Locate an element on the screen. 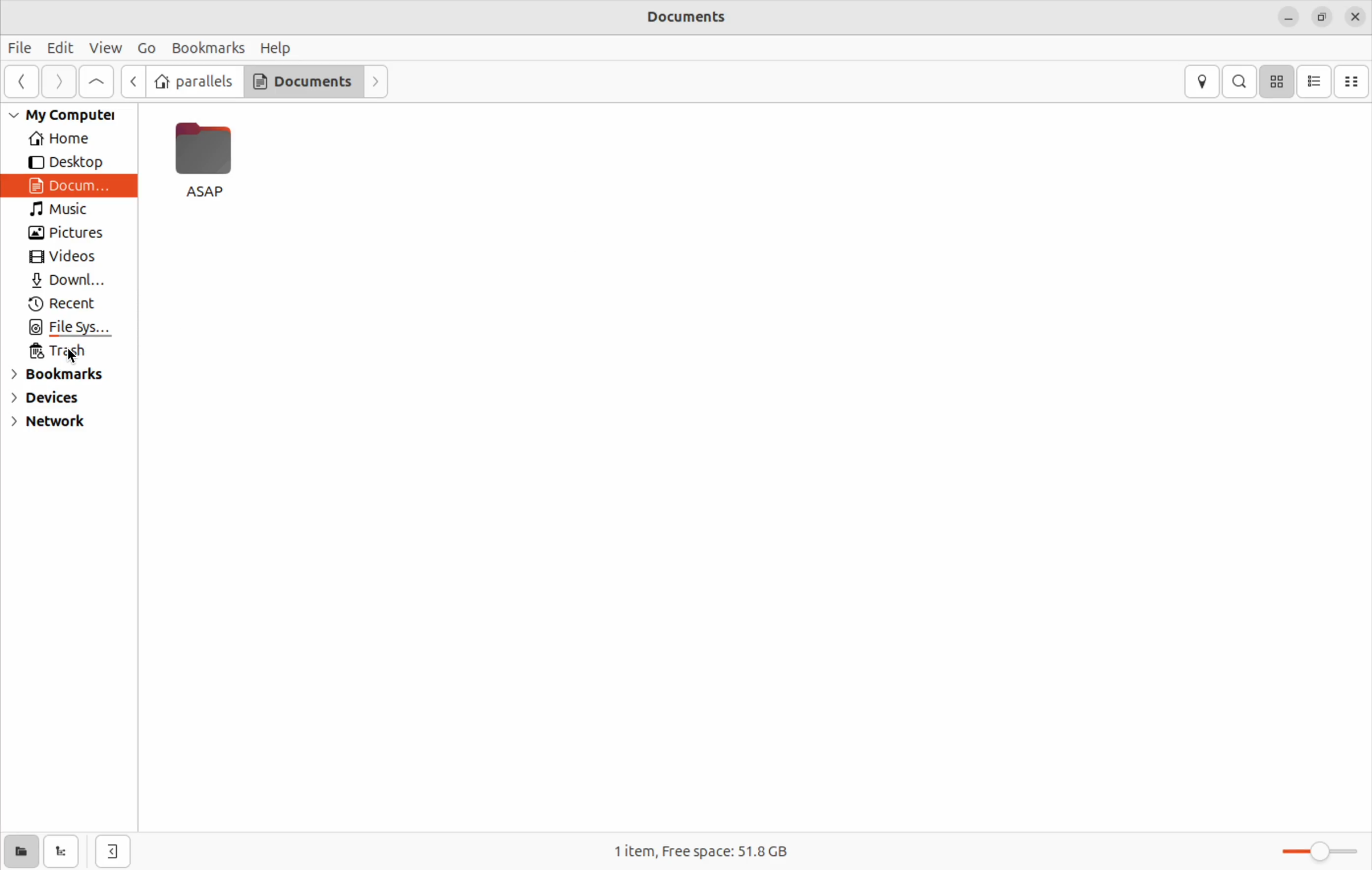 The image size is (1372, 870). recent is located at coordinates (67, 306).